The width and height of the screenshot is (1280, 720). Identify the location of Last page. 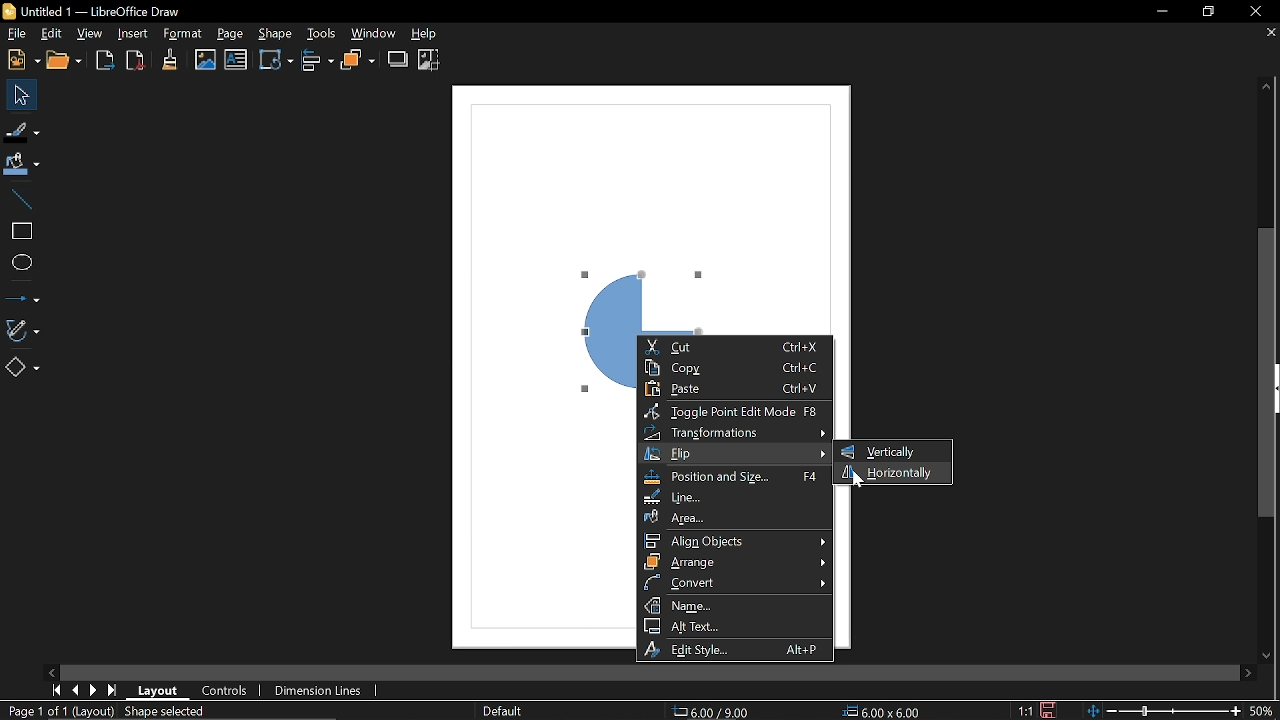
(112, 690).